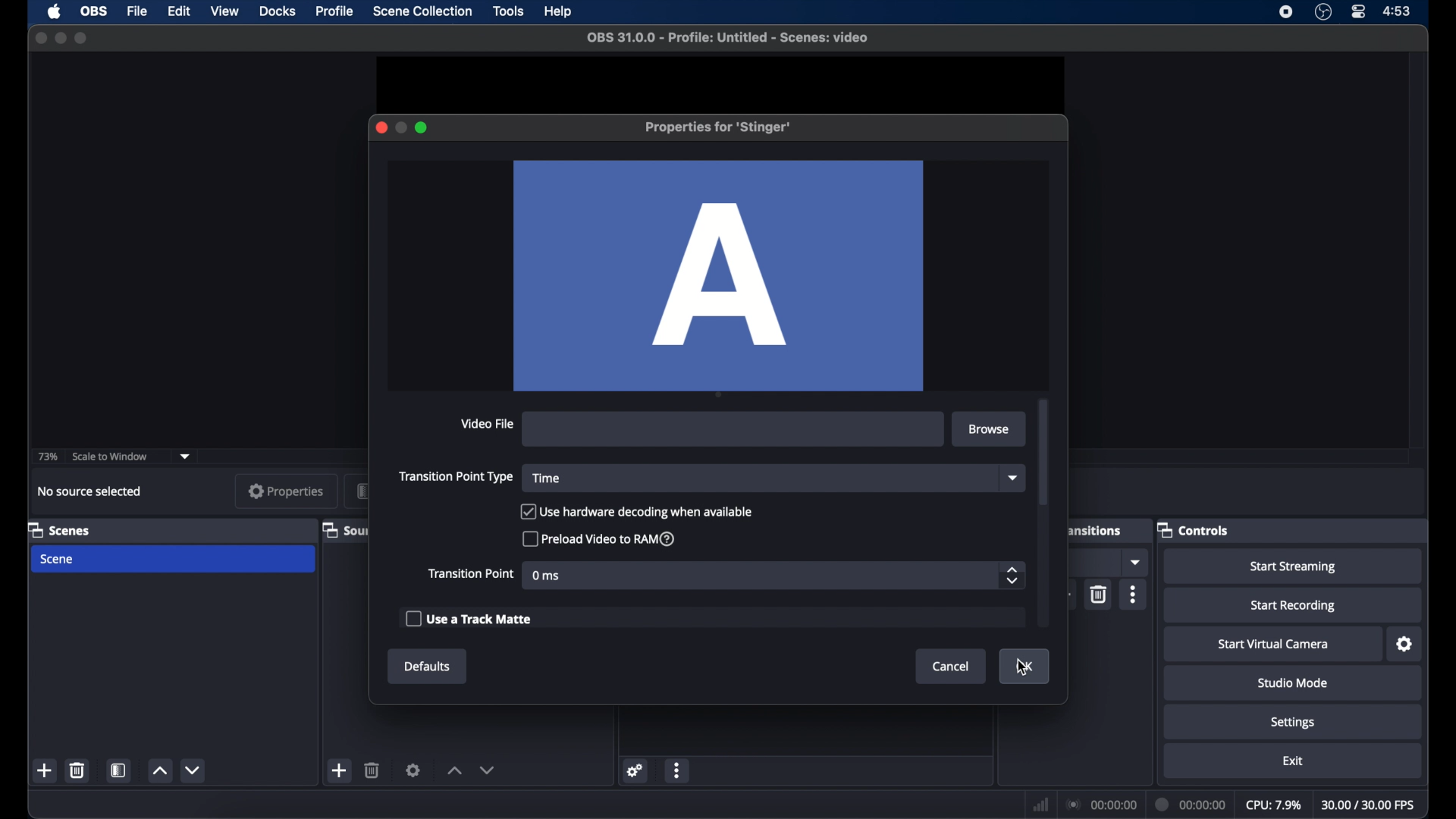 Image resolution: width=1456 pixels, height=819 pixels. I want to click on sources, so click(345, 529).